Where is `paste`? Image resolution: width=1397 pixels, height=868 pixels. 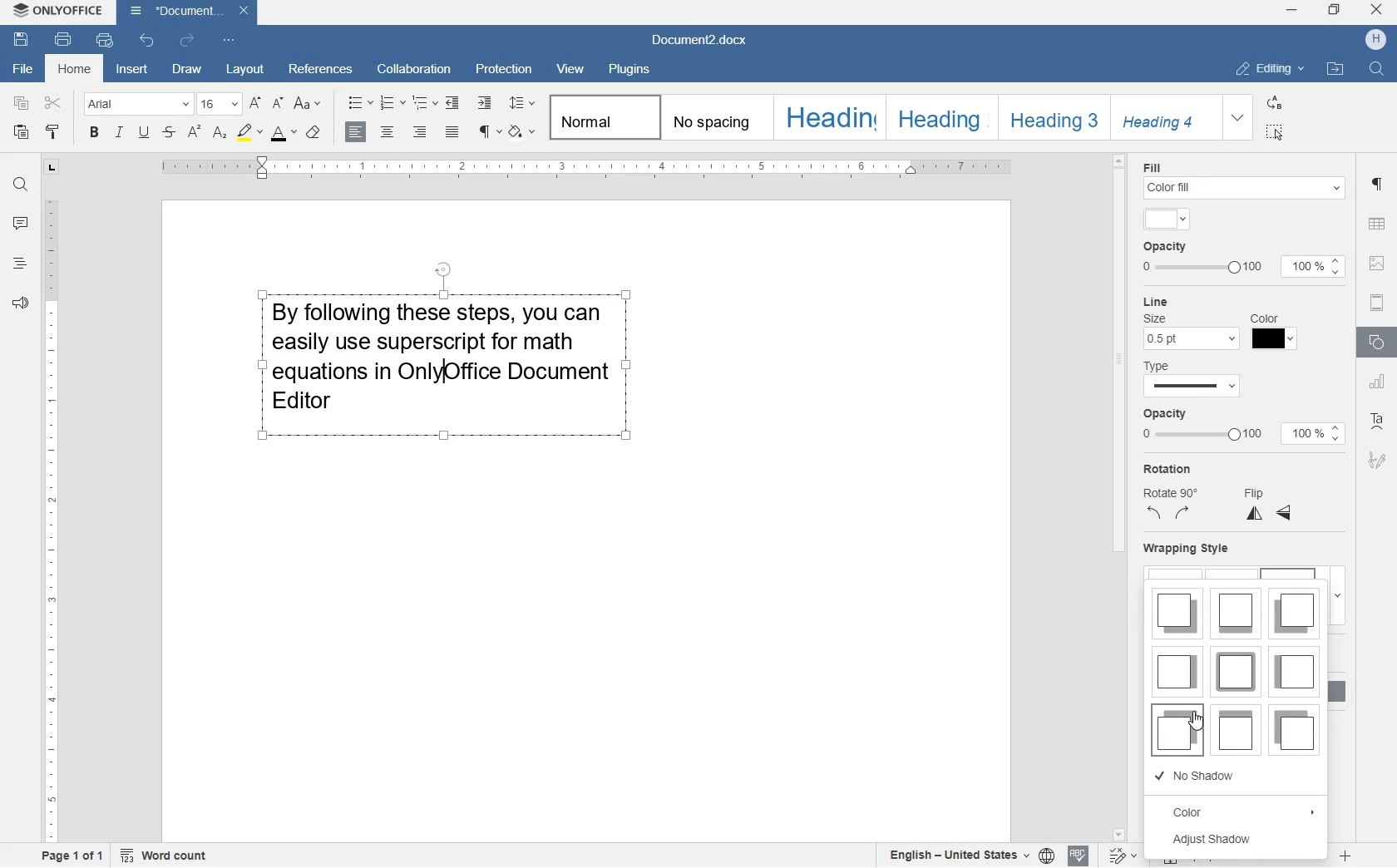 paste is located at coordinates (22, 133).